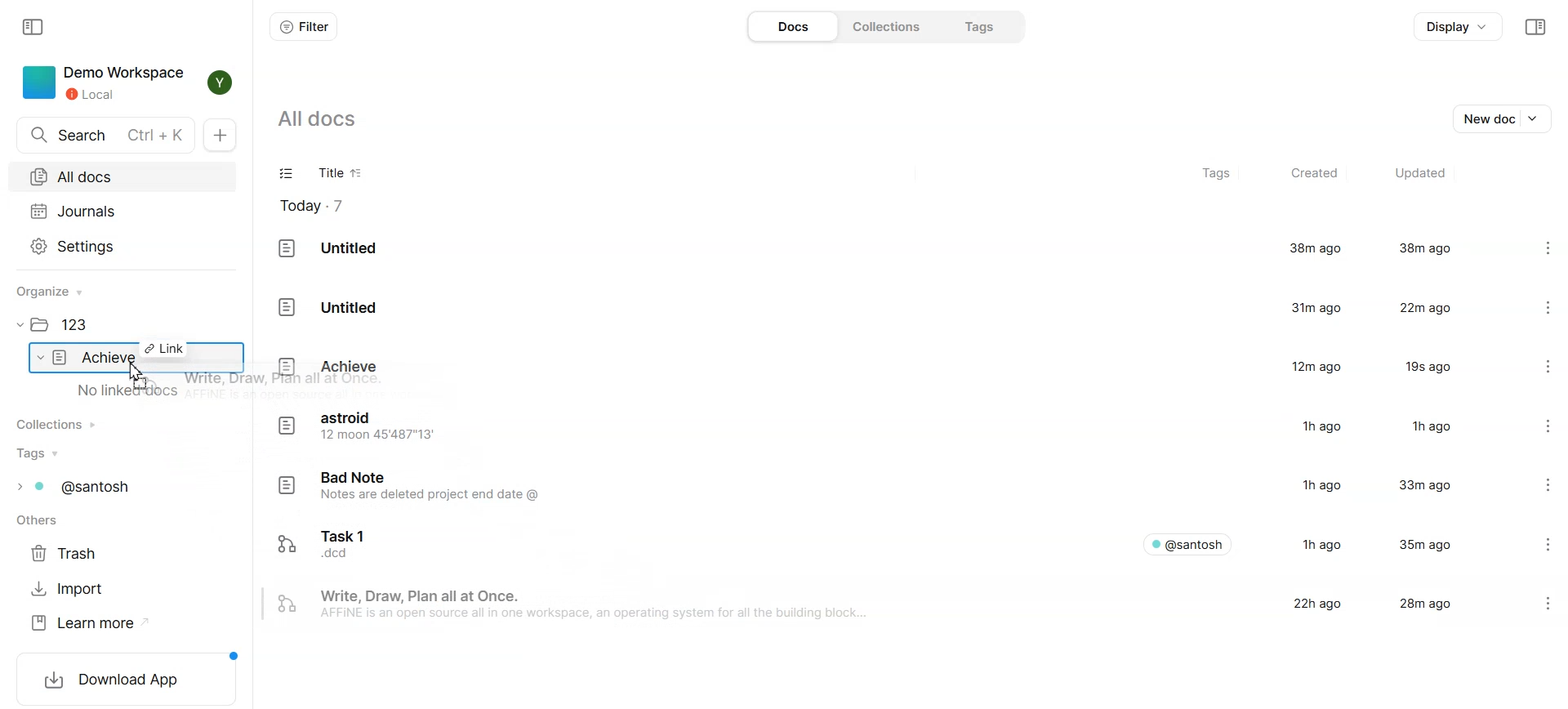  What do you see at coordinates (1312, 174) in the screenshot?
I see `Created` at bounding box center [1312, 174].